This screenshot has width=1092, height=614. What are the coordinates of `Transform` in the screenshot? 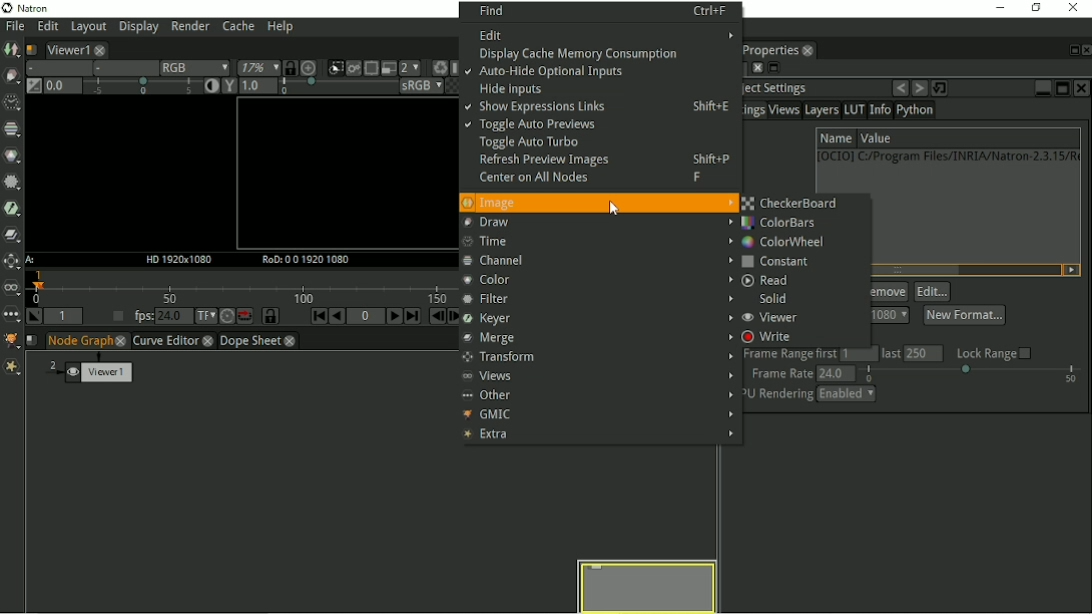 It's located at (599, 357).